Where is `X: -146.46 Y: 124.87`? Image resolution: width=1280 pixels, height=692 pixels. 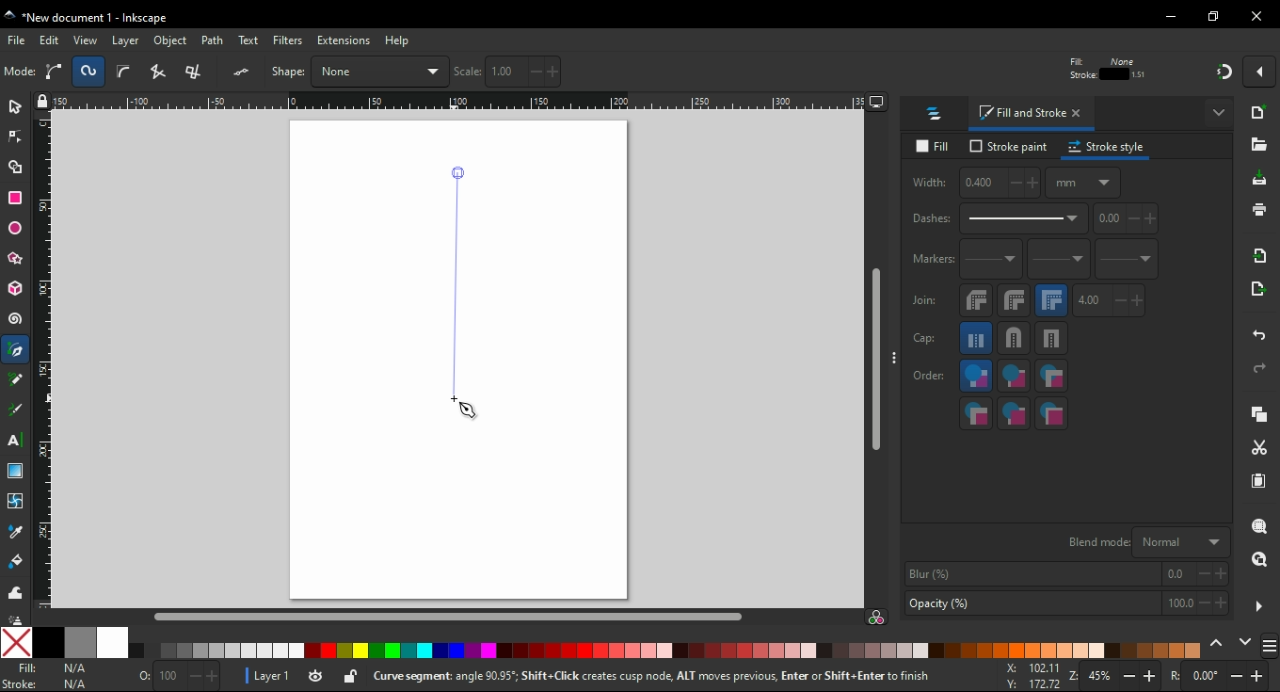 X: -146.46 Y: 124.87 is located at coordinates (1026, 677).